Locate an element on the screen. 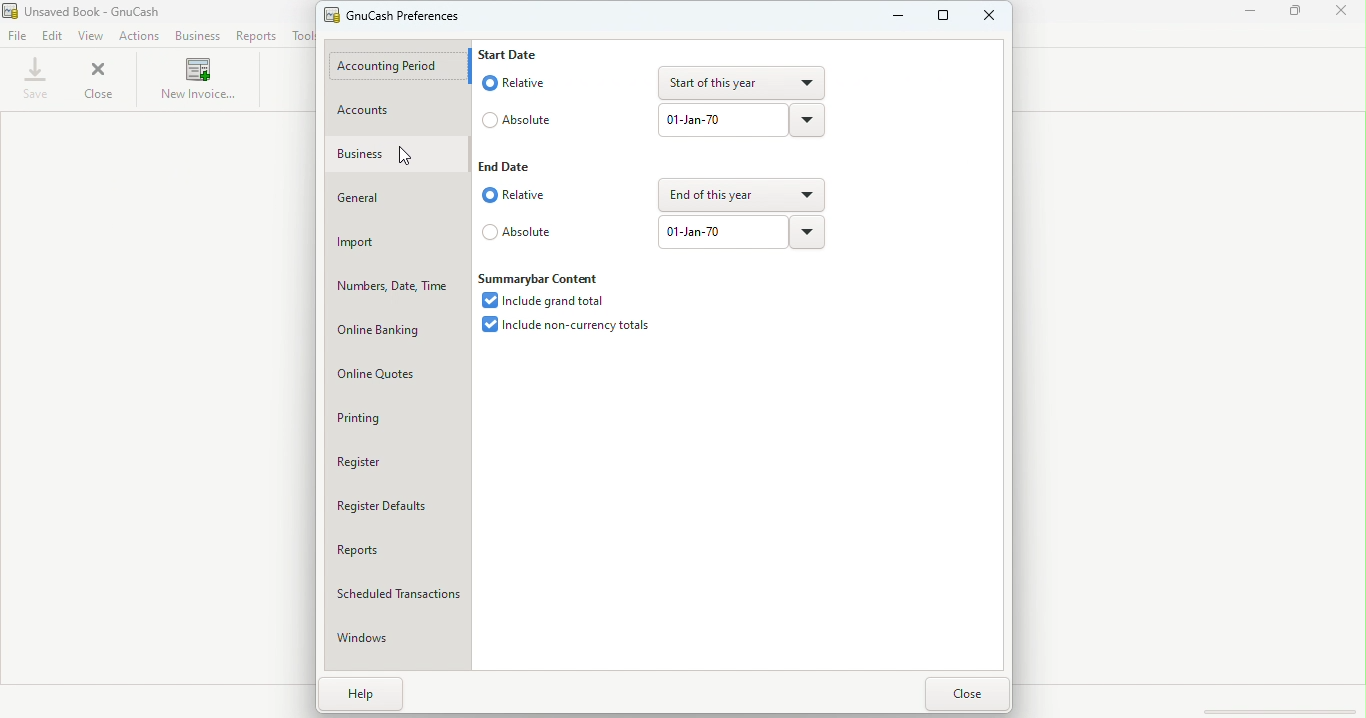 The image size is (1366, 718). Windows is located at coordinates (396, 638).